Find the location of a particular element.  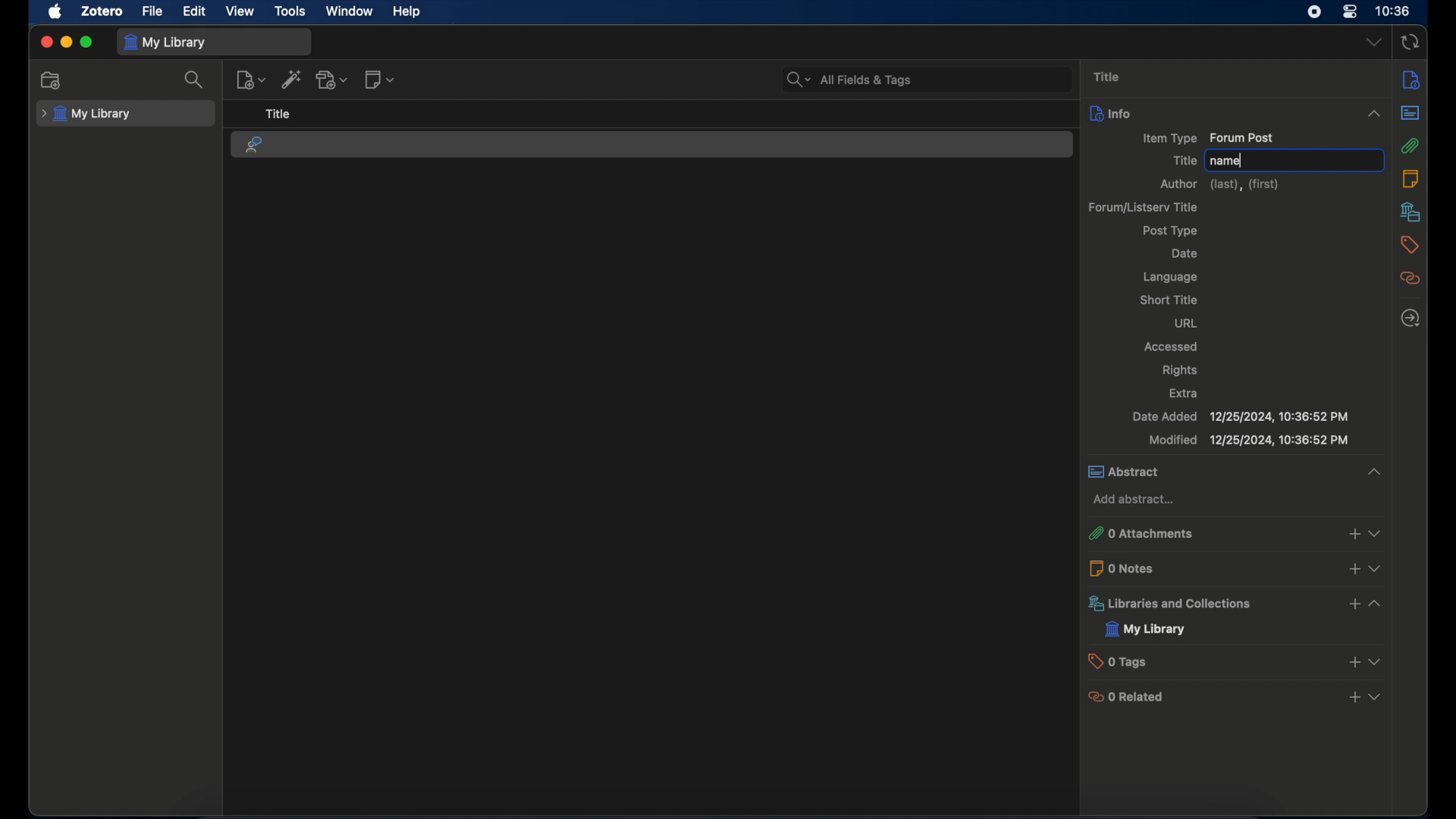

zotero is located at coordinates (102, 11).